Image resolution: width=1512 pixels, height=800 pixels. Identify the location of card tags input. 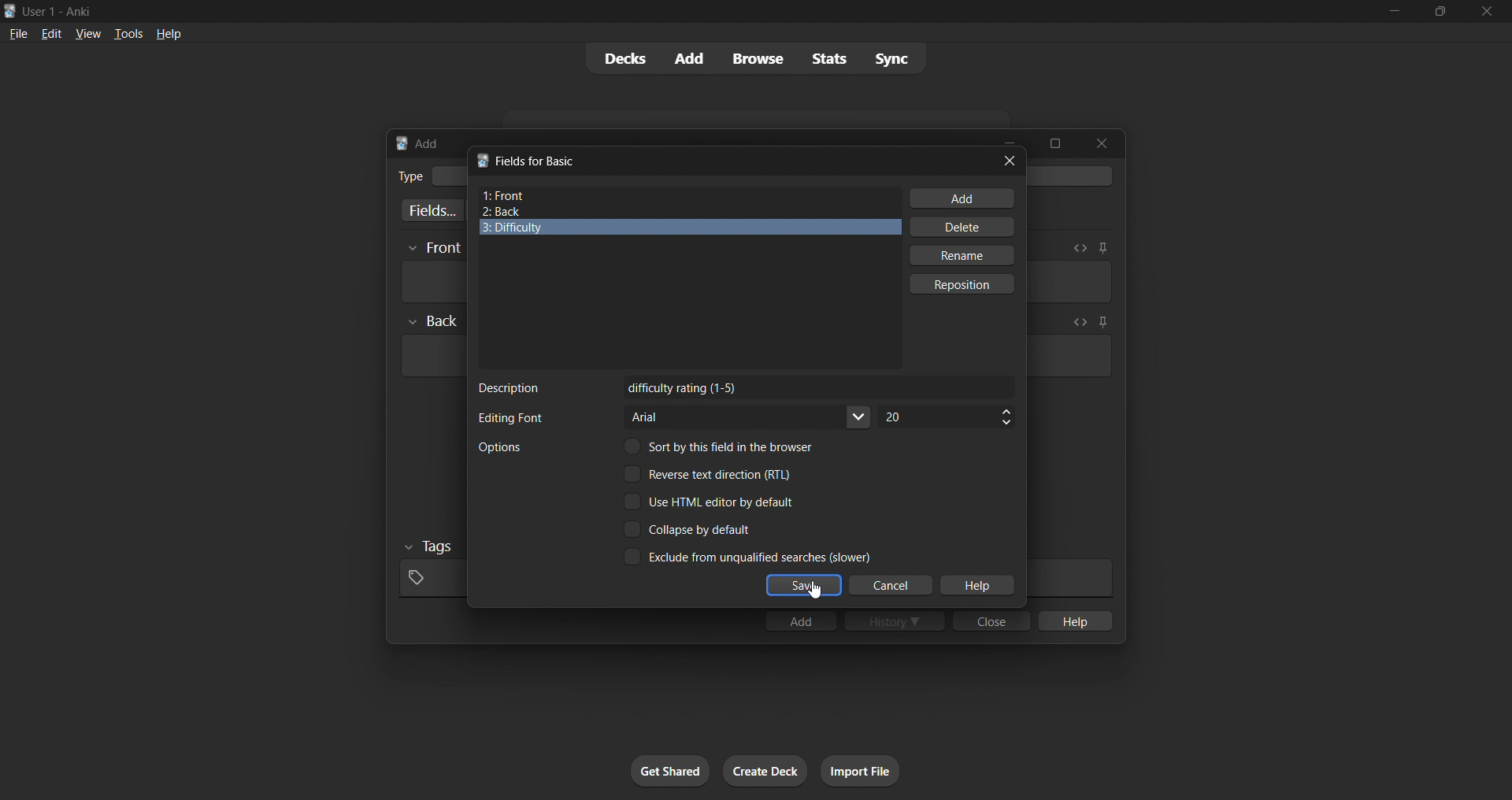
(430, 579).